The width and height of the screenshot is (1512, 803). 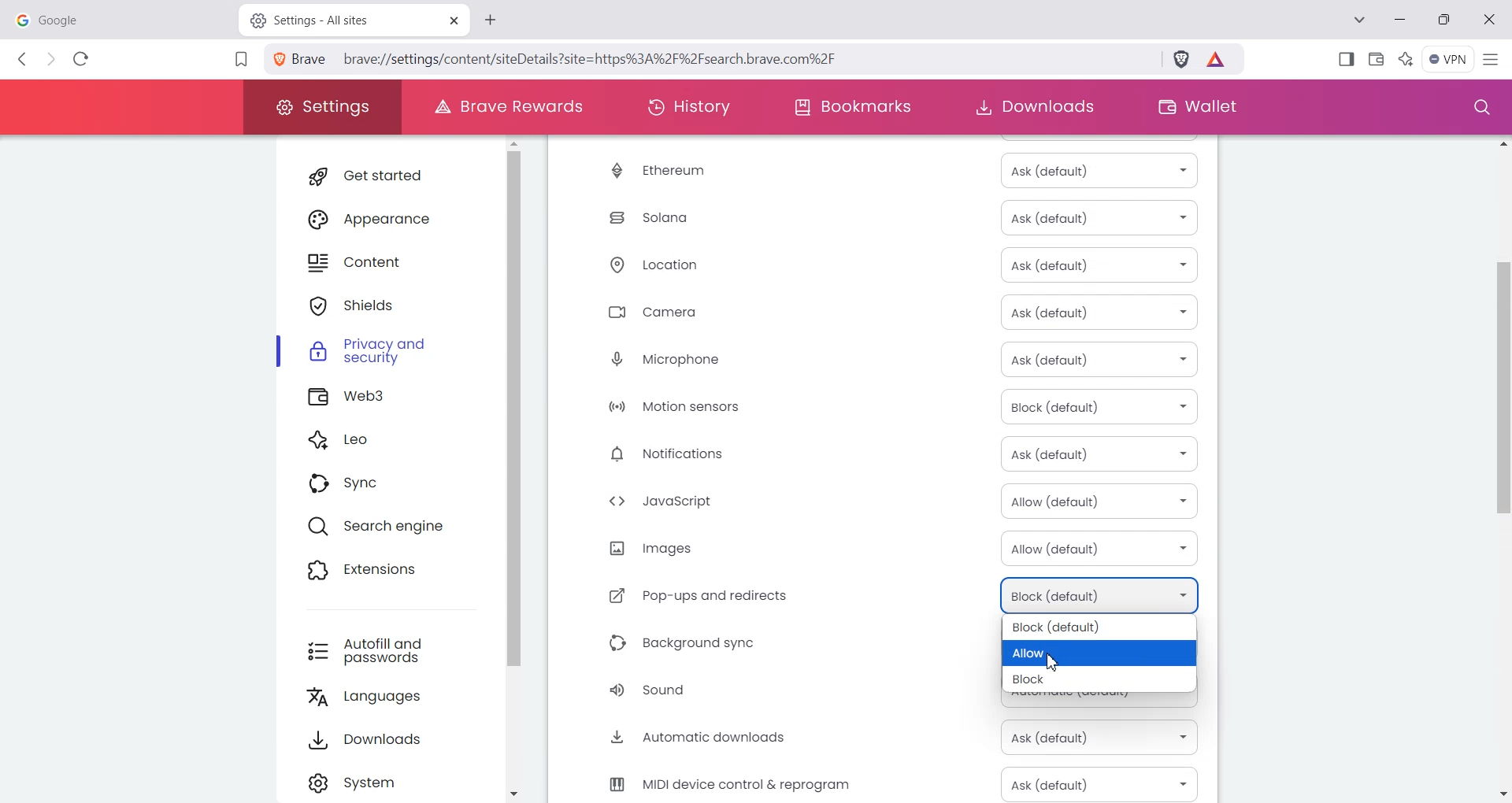 What do you see at coordinates (24, 59) in the screenshot?
I see `Back` at bounding box center [24, 59].